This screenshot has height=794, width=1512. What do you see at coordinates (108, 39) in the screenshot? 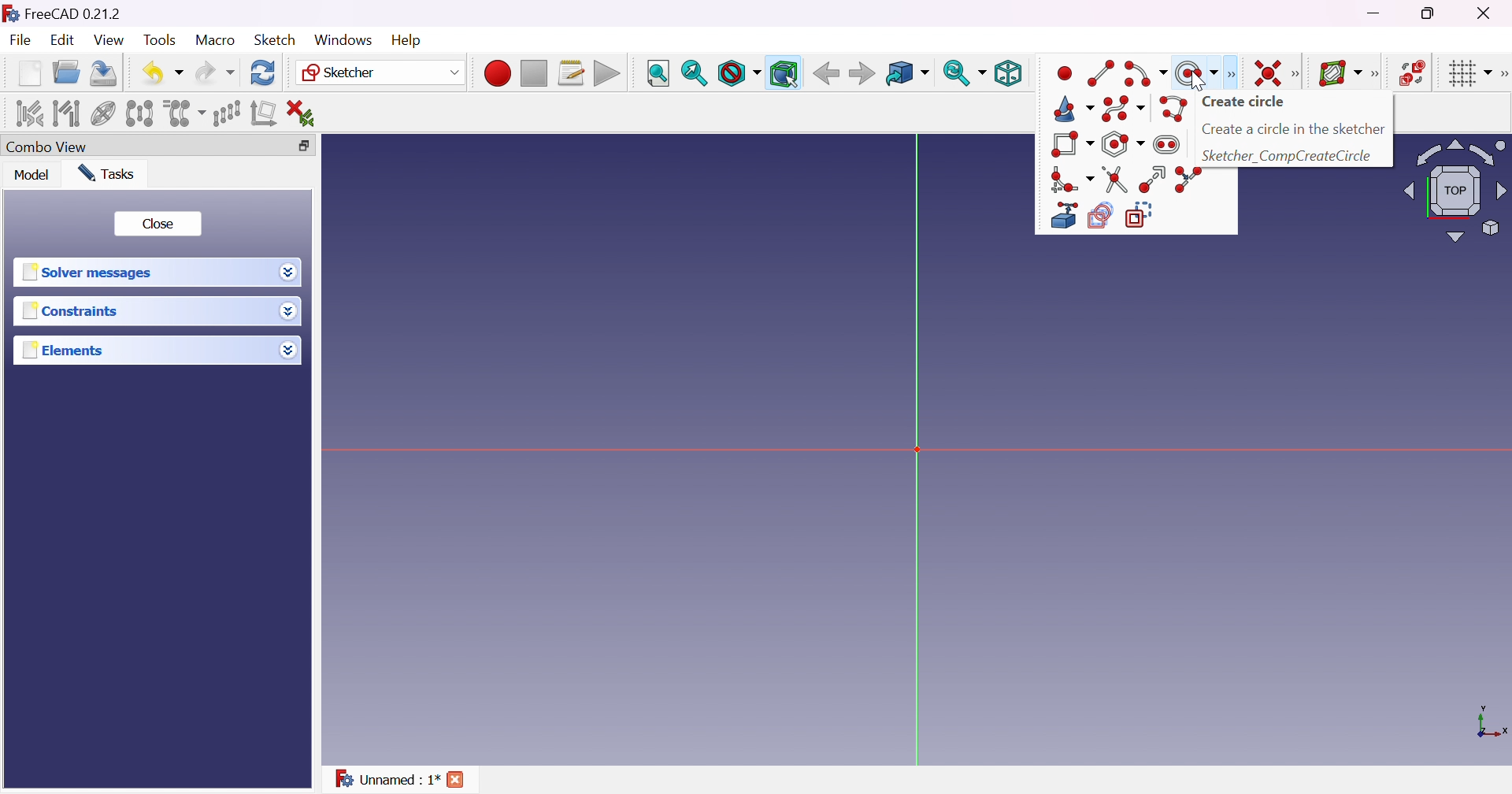
I see `View` at bounding box center [108, 39].